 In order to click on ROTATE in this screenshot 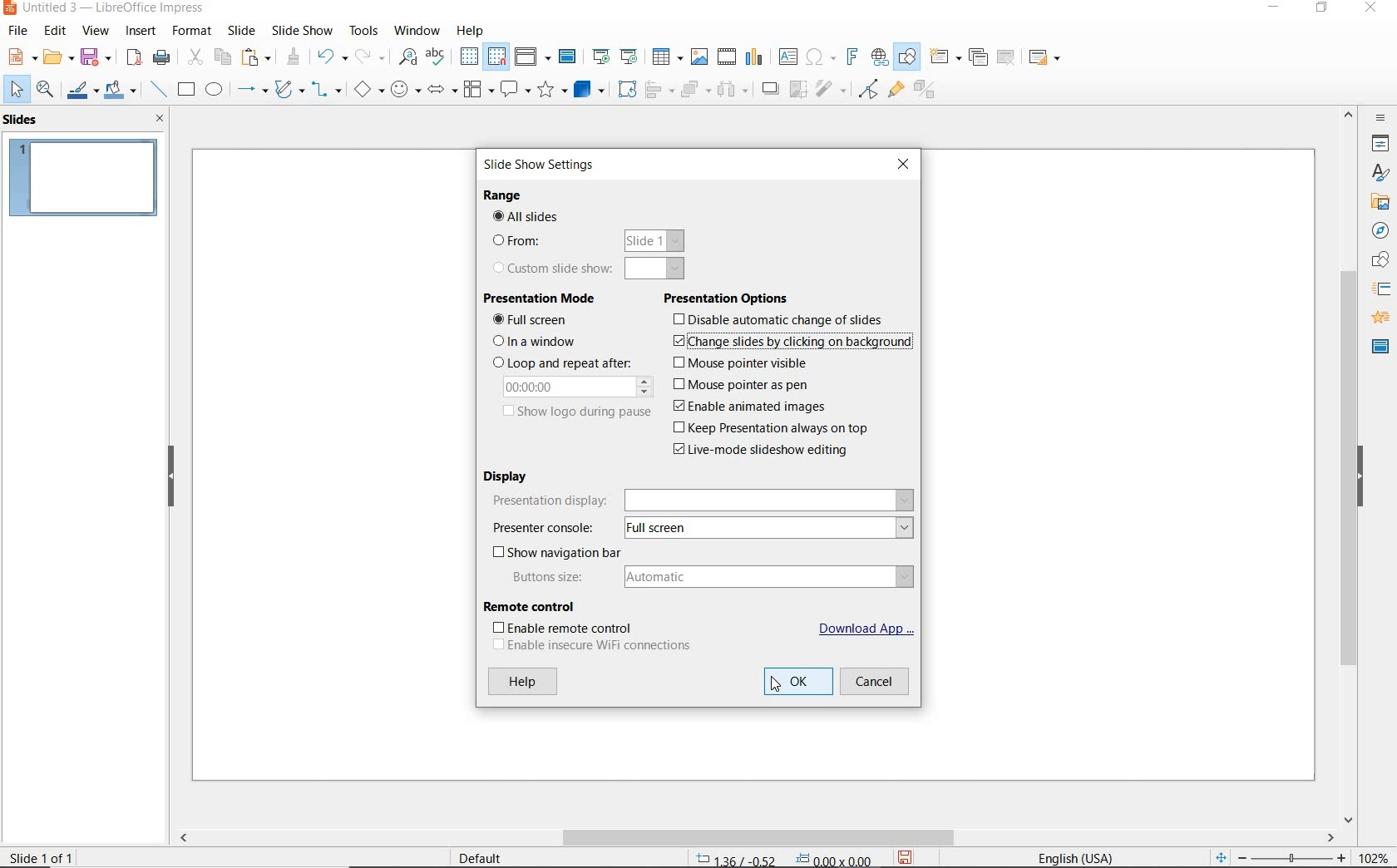, I will do `click(629, 89)`.